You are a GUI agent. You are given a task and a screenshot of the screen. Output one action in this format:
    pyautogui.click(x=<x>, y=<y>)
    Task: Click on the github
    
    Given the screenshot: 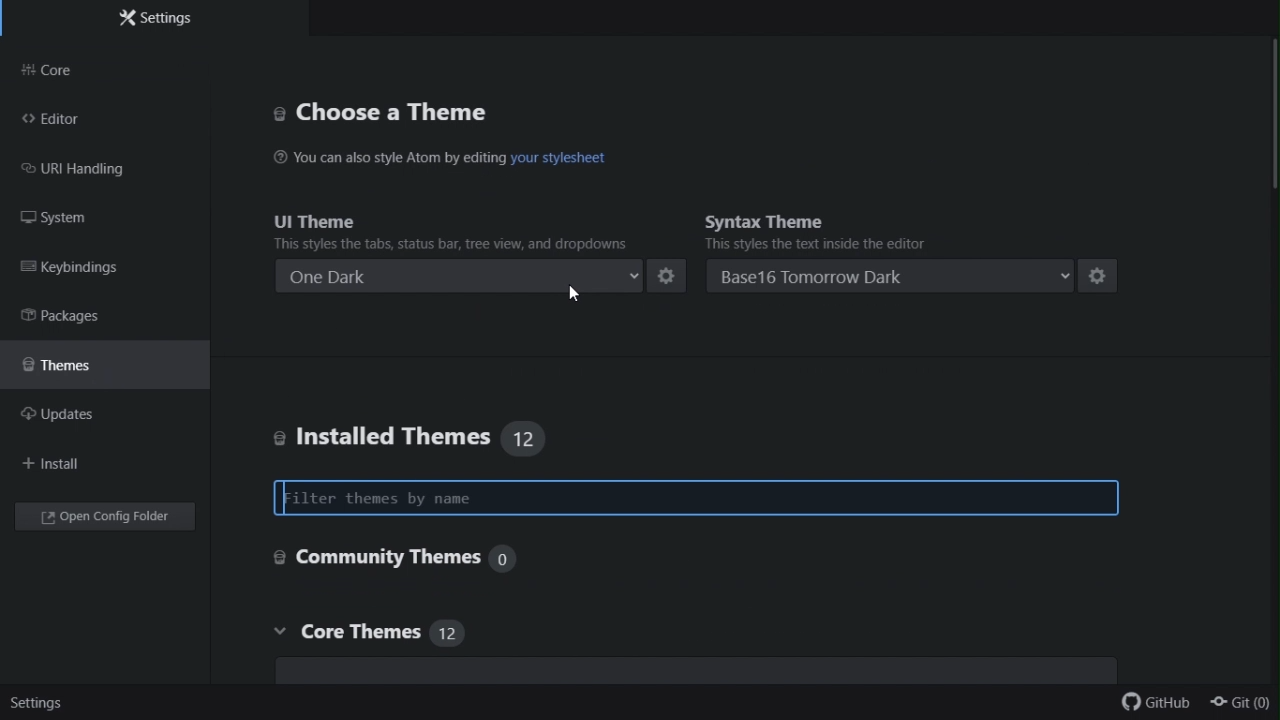 What is the action you would take?
    pyautogui.click(x=1157, y=706)
    